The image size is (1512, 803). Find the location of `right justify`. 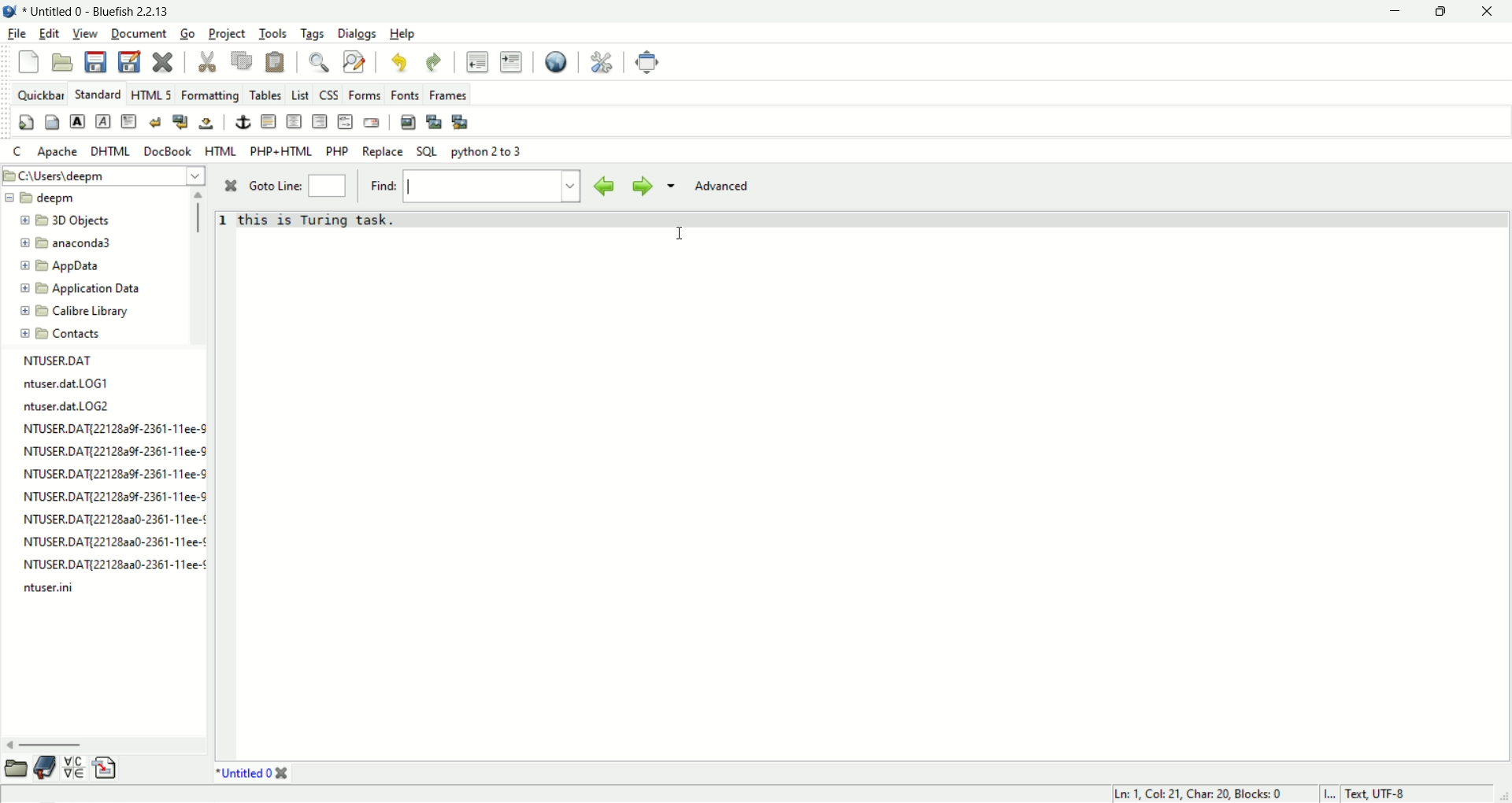

right justify is located at coordinates (321, 121).